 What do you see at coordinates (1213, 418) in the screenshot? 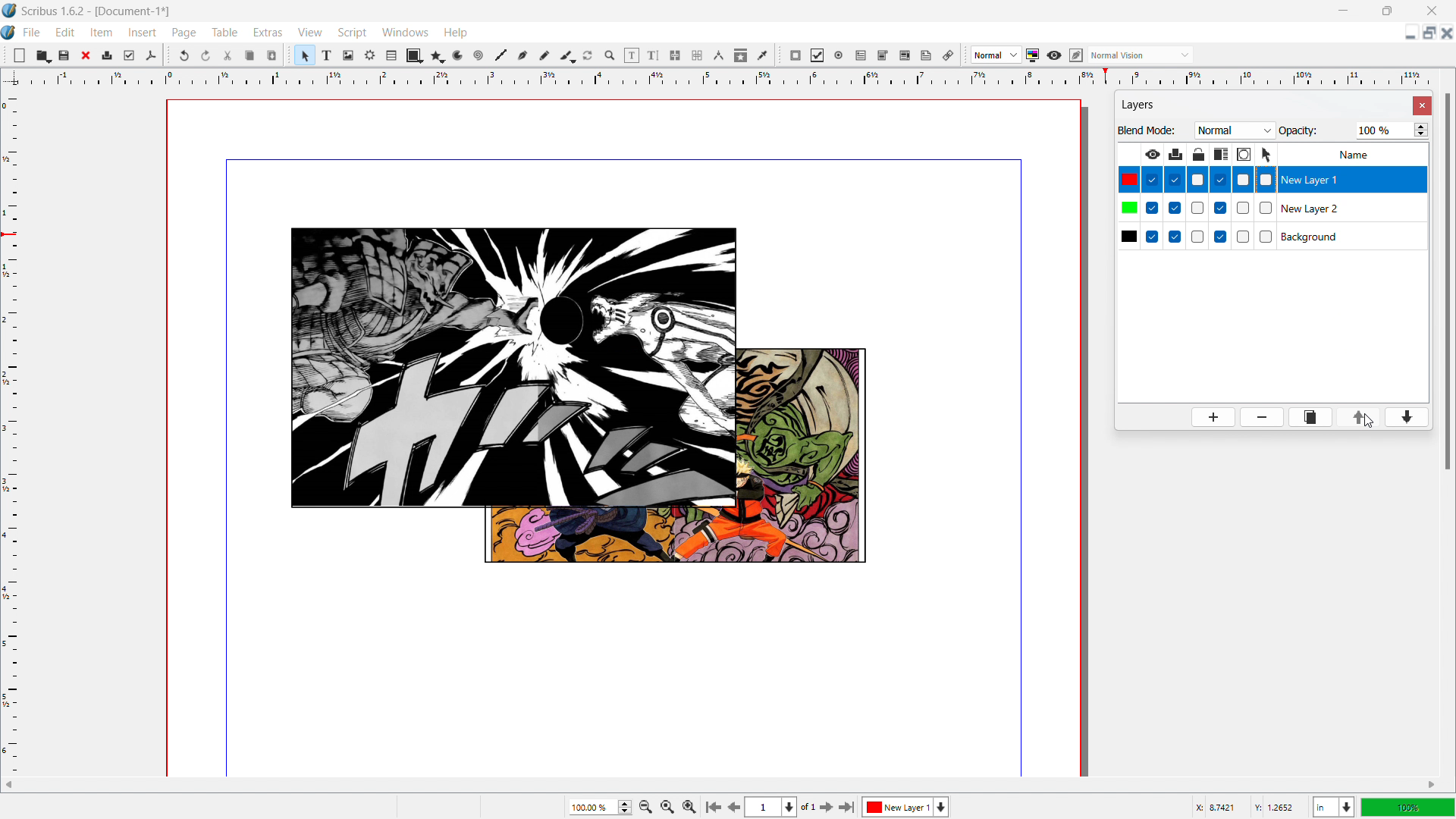
I see `add layer` at bounding box center [1213, 418].